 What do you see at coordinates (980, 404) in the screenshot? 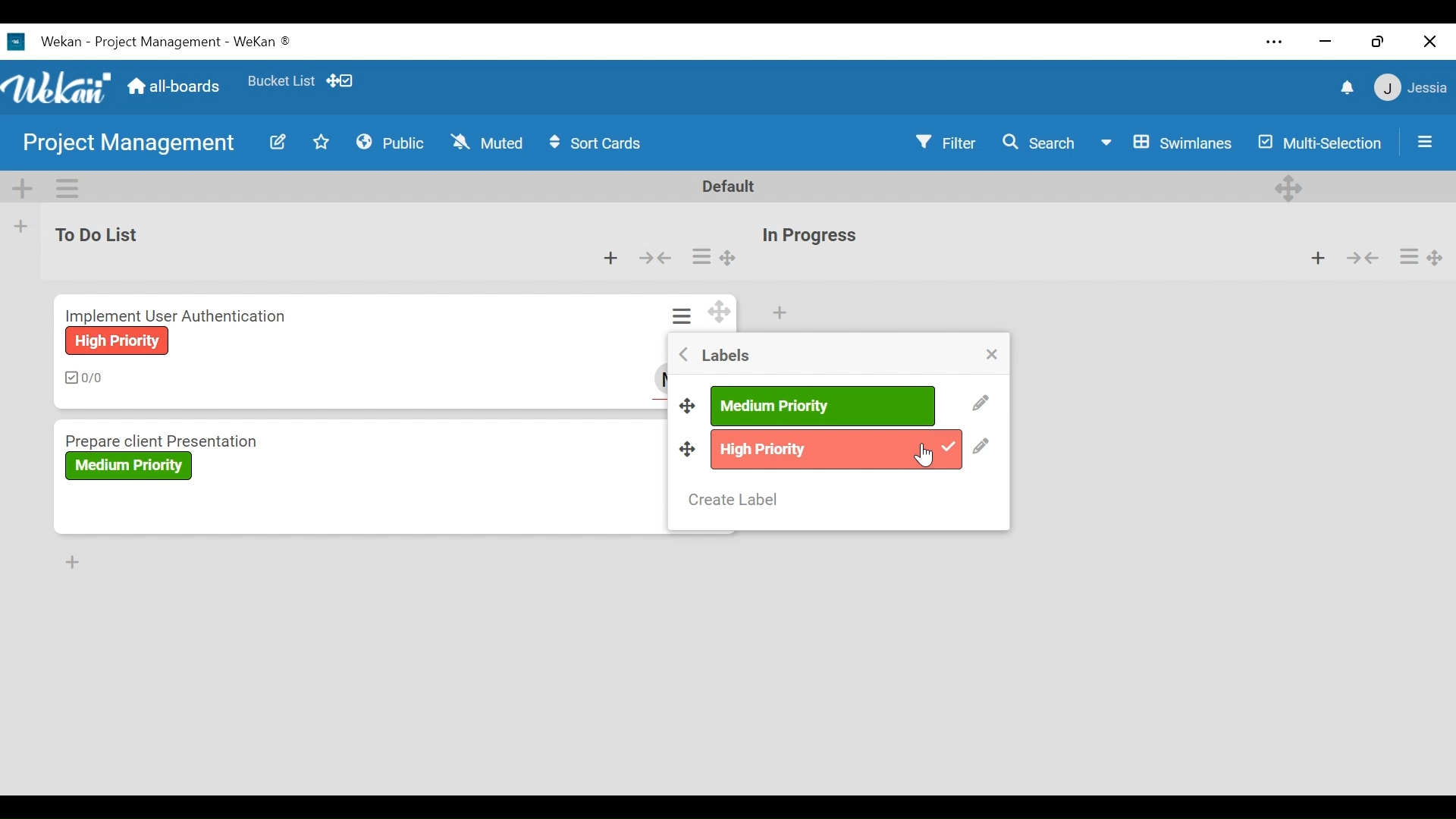
I see `Edit` at bounding box center [980, 404].